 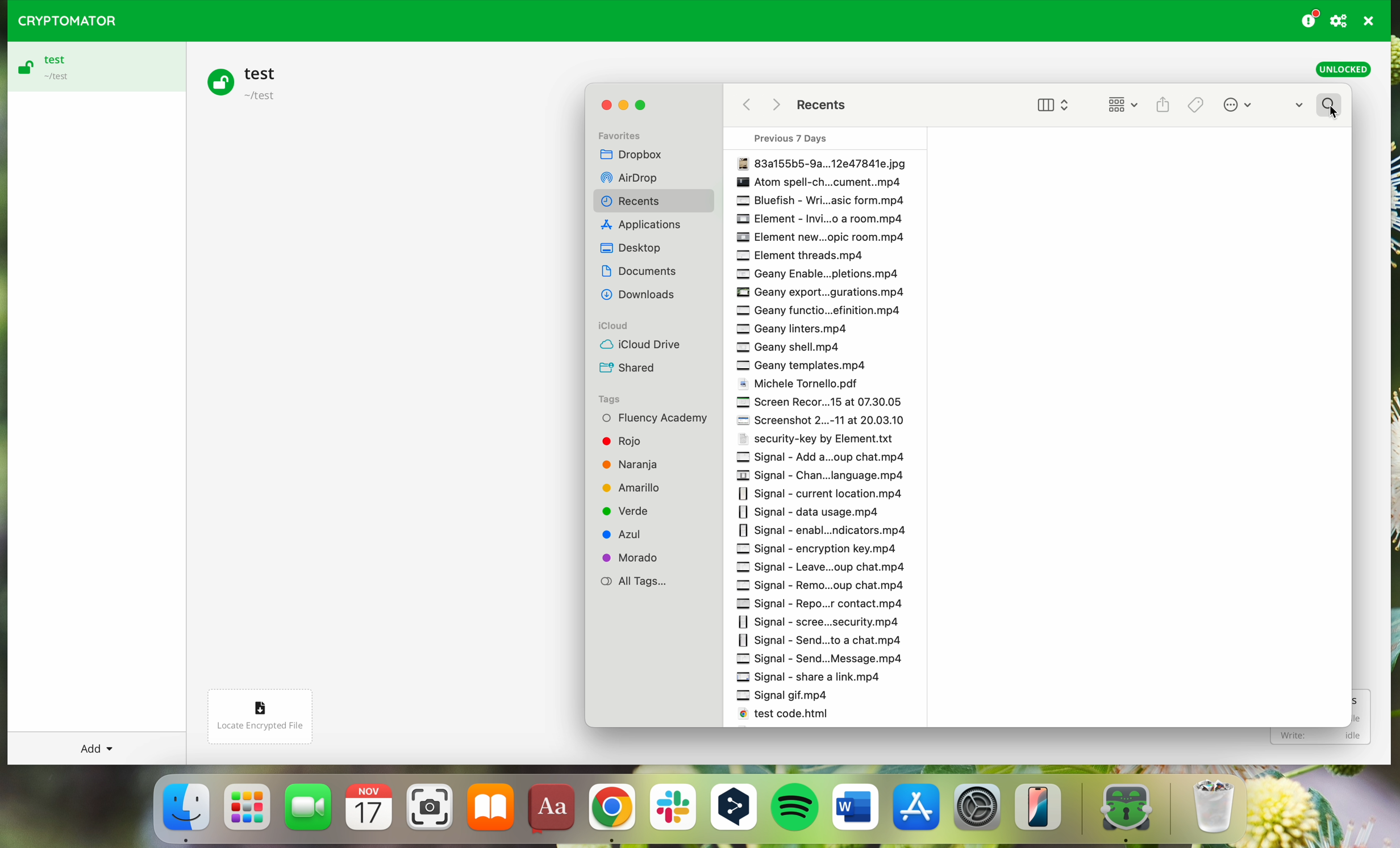 What do you see at coordinates (93, 67) in the screenshot?
I see `test vault` at bounding box center [93, 67].